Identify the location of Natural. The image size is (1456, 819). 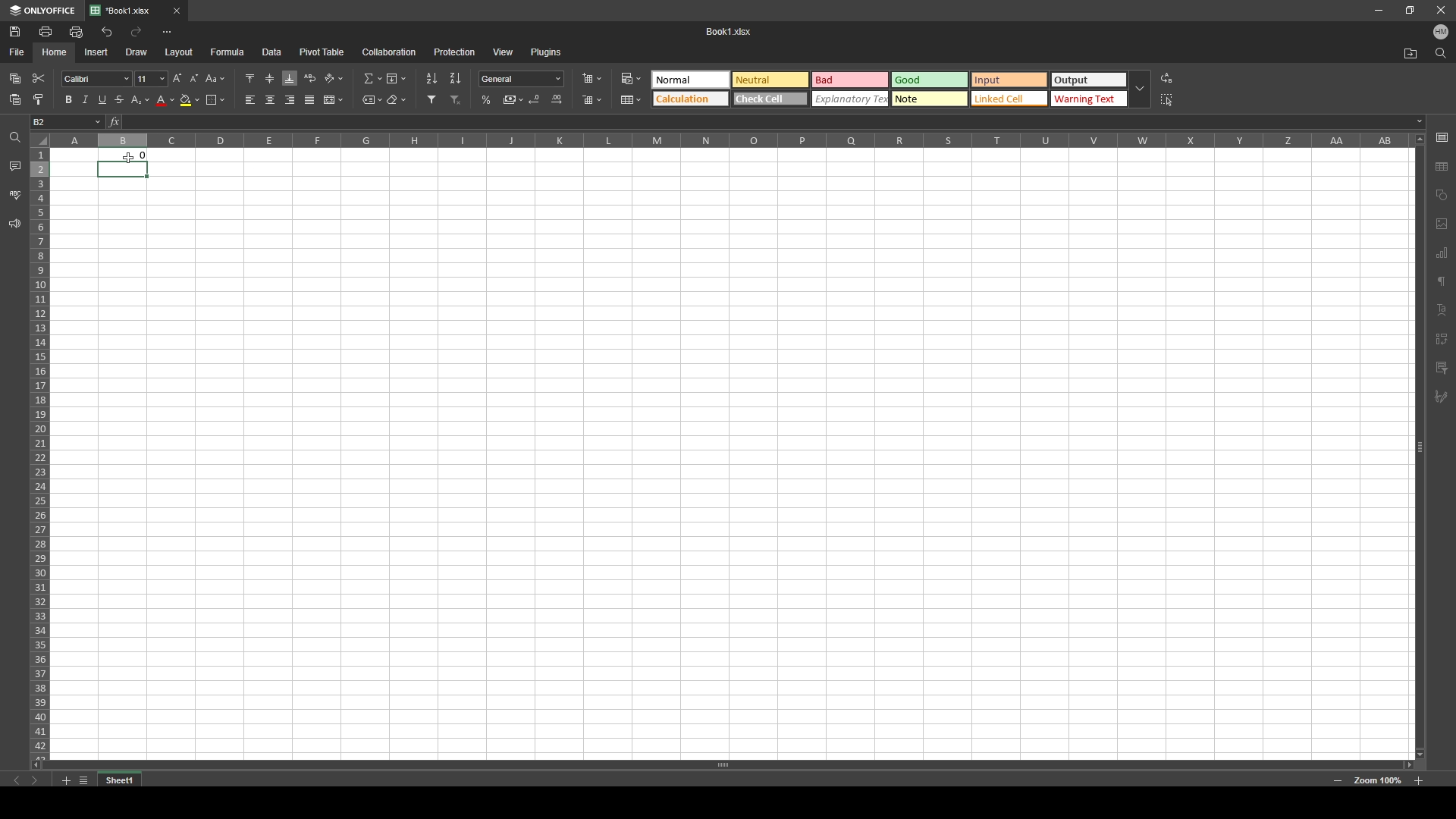
(769, 79).